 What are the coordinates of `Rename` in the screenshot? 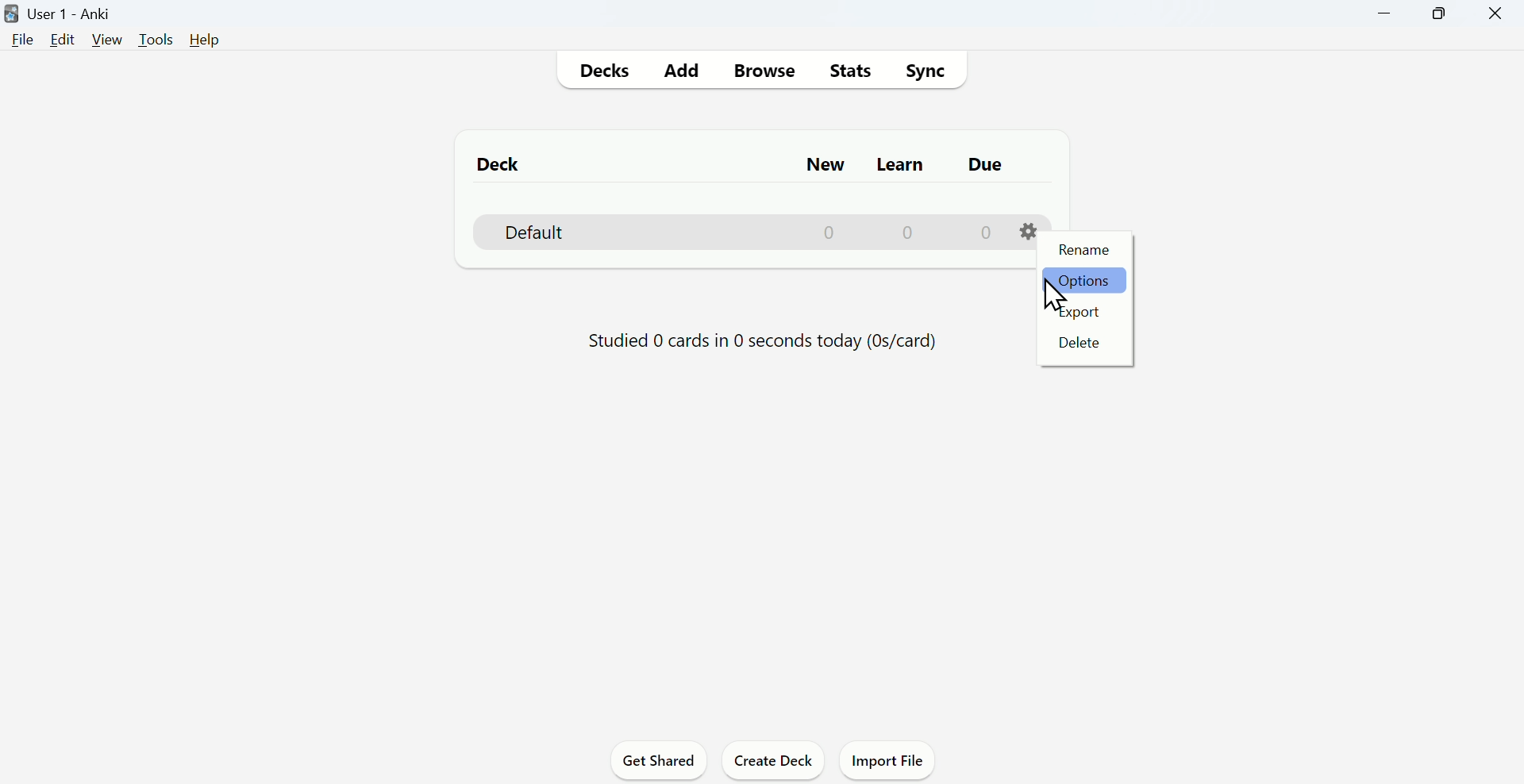 It's located at (1088, 248).